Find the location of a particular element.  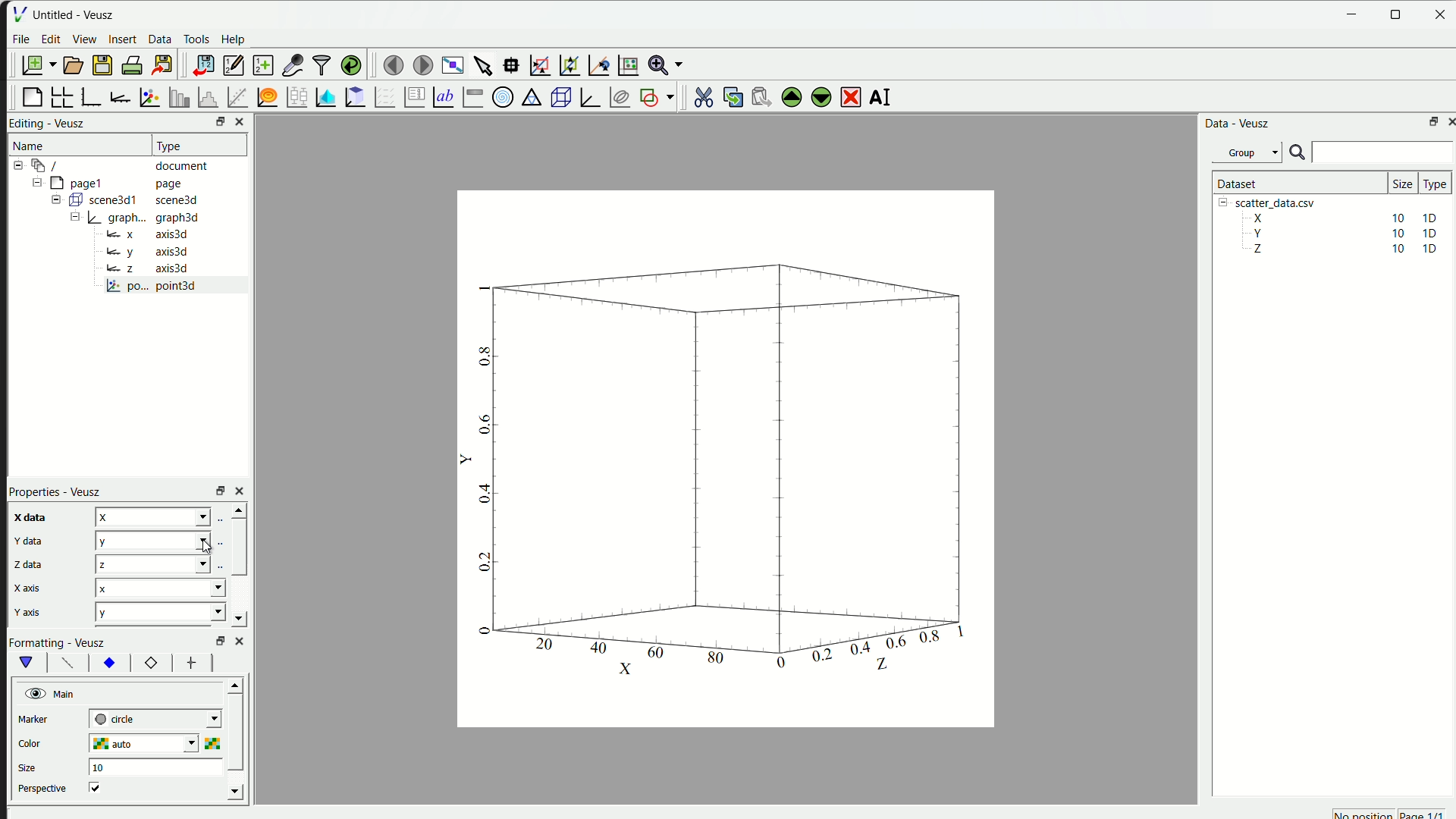

vShape is located at coordinates (27, 663).